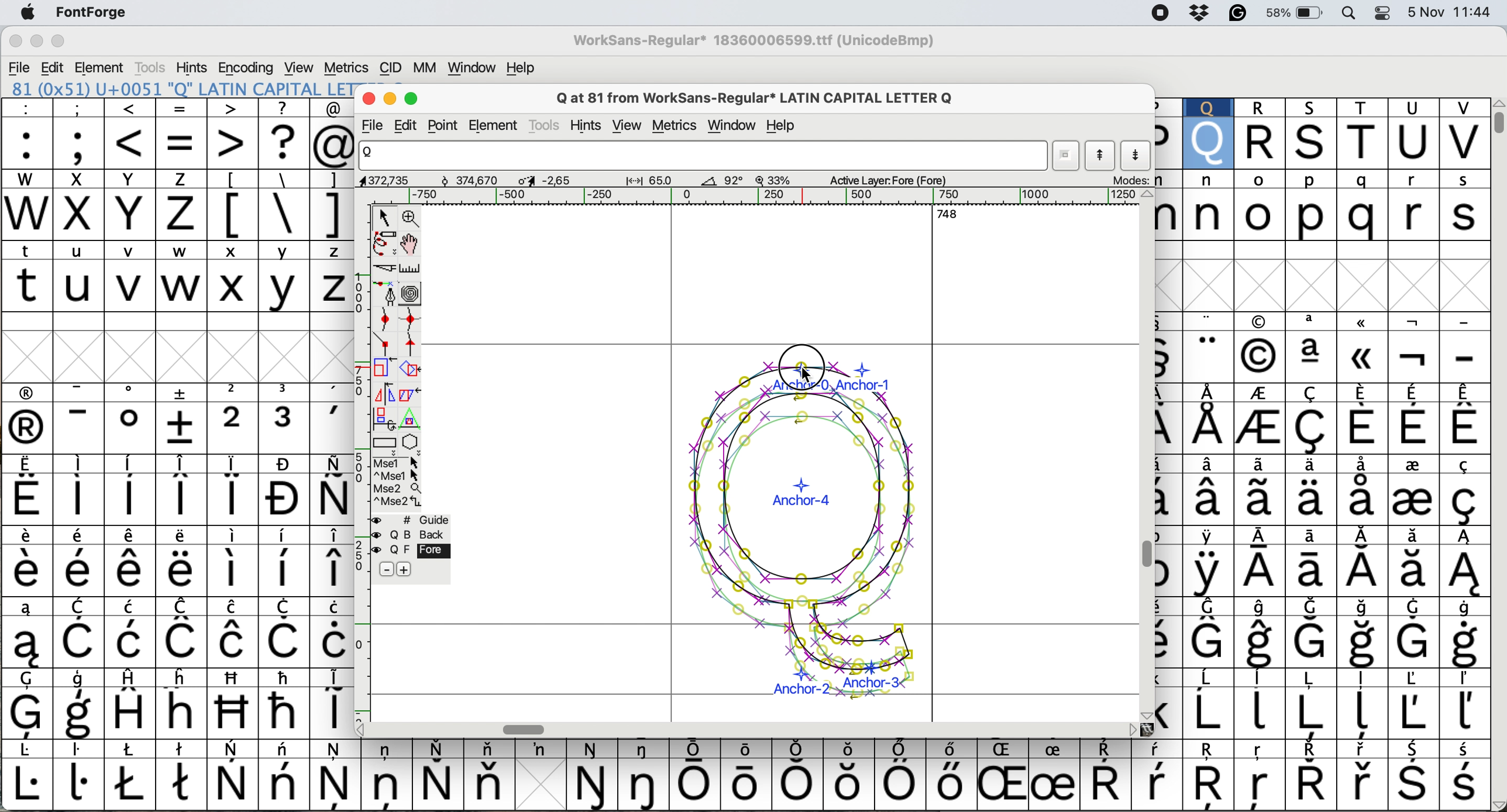  What do you see at coordinates (177, 147) in the screenshot?
I see `special characters` at bounding box center [177, 147].